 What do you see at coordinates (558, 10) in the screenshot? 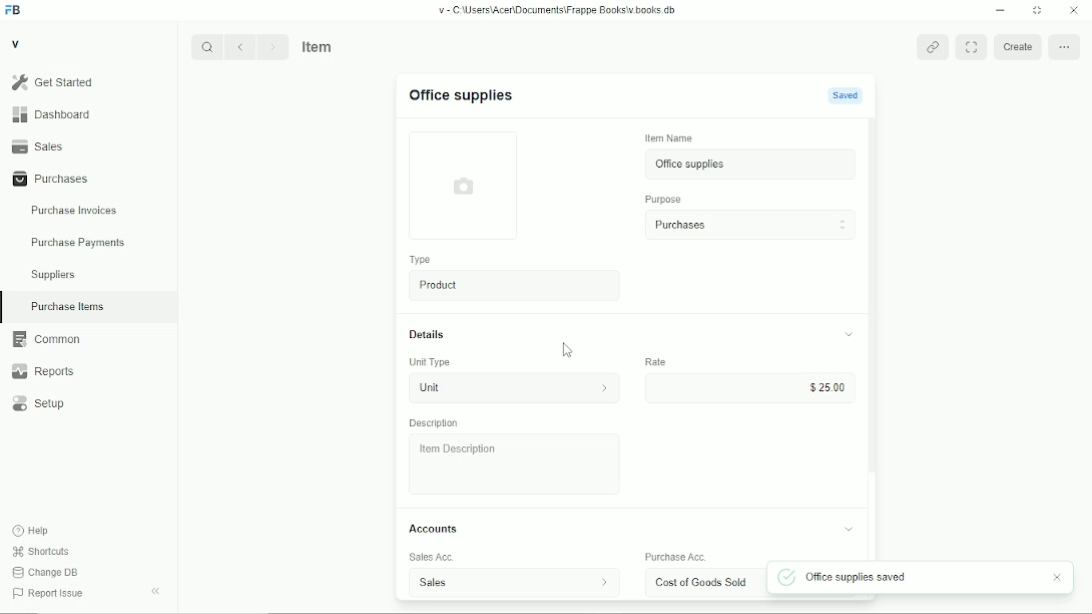
I see `v-C:\Users\Acer\Documents\Frappe books\v.books.db` at bounding box center [558, 10].